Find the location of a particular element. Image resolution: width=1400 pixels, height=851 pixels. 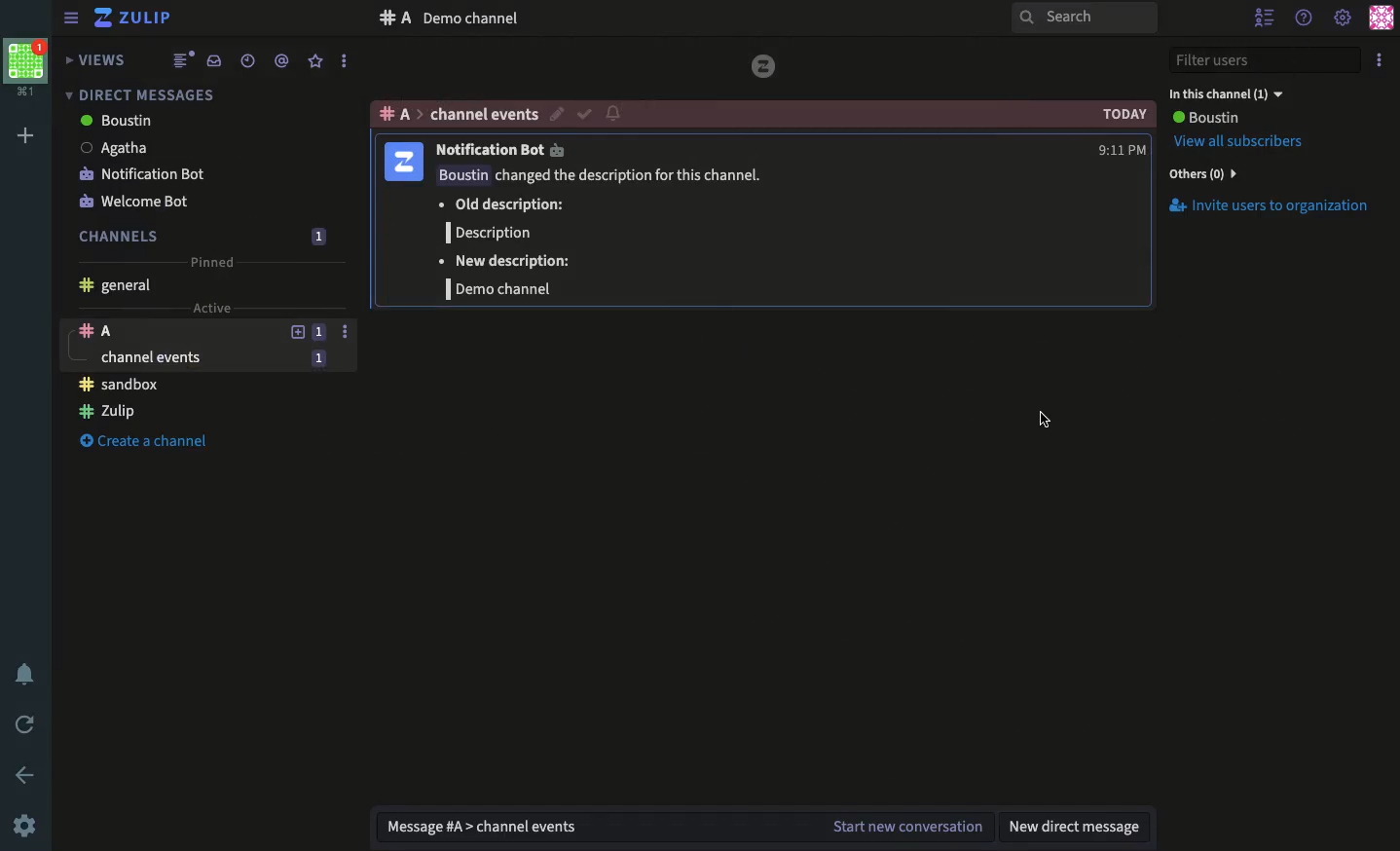

1 message is located at coordinates (317, 236).